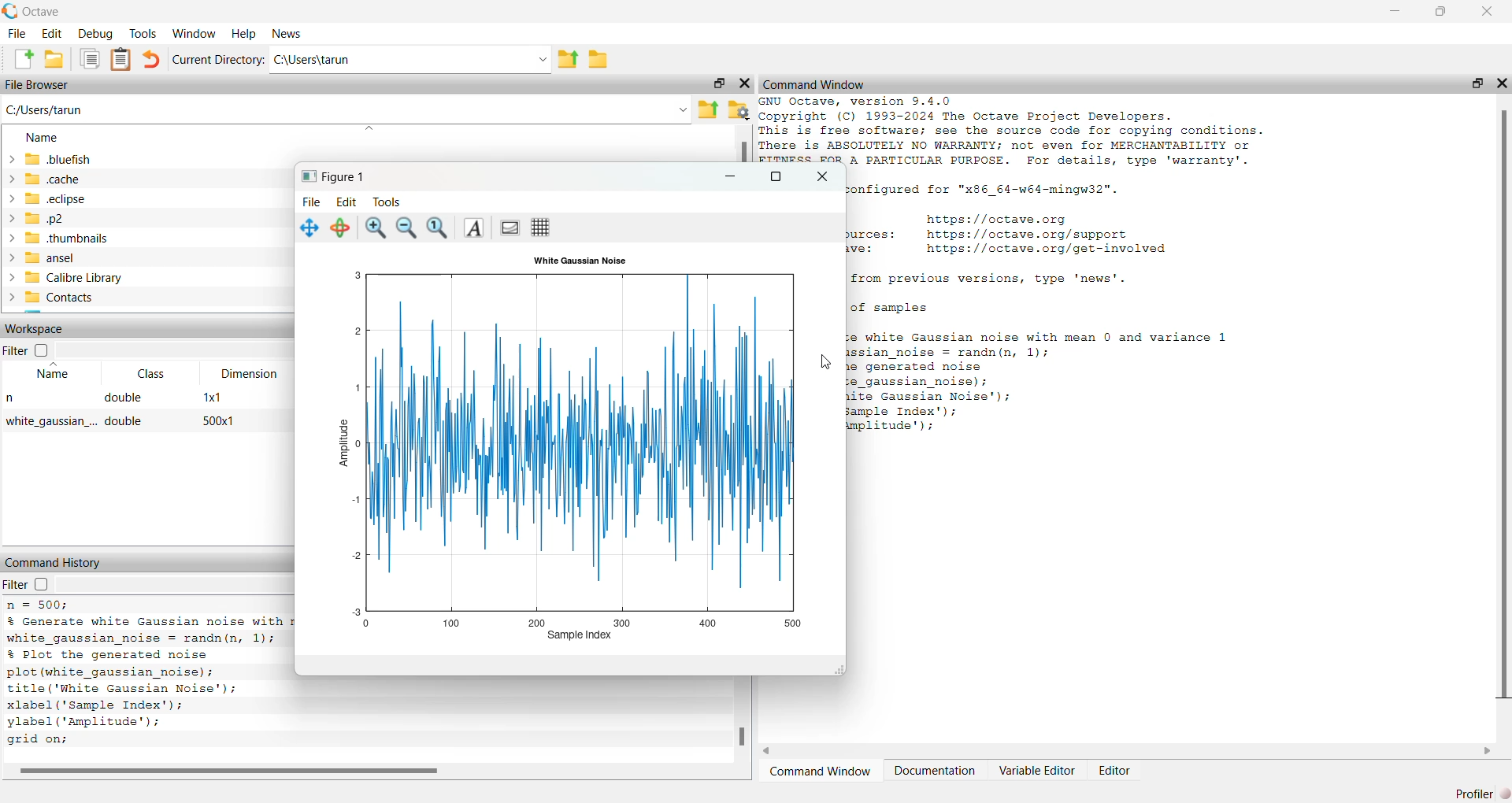  I want to click on Class, so click(149, 376).